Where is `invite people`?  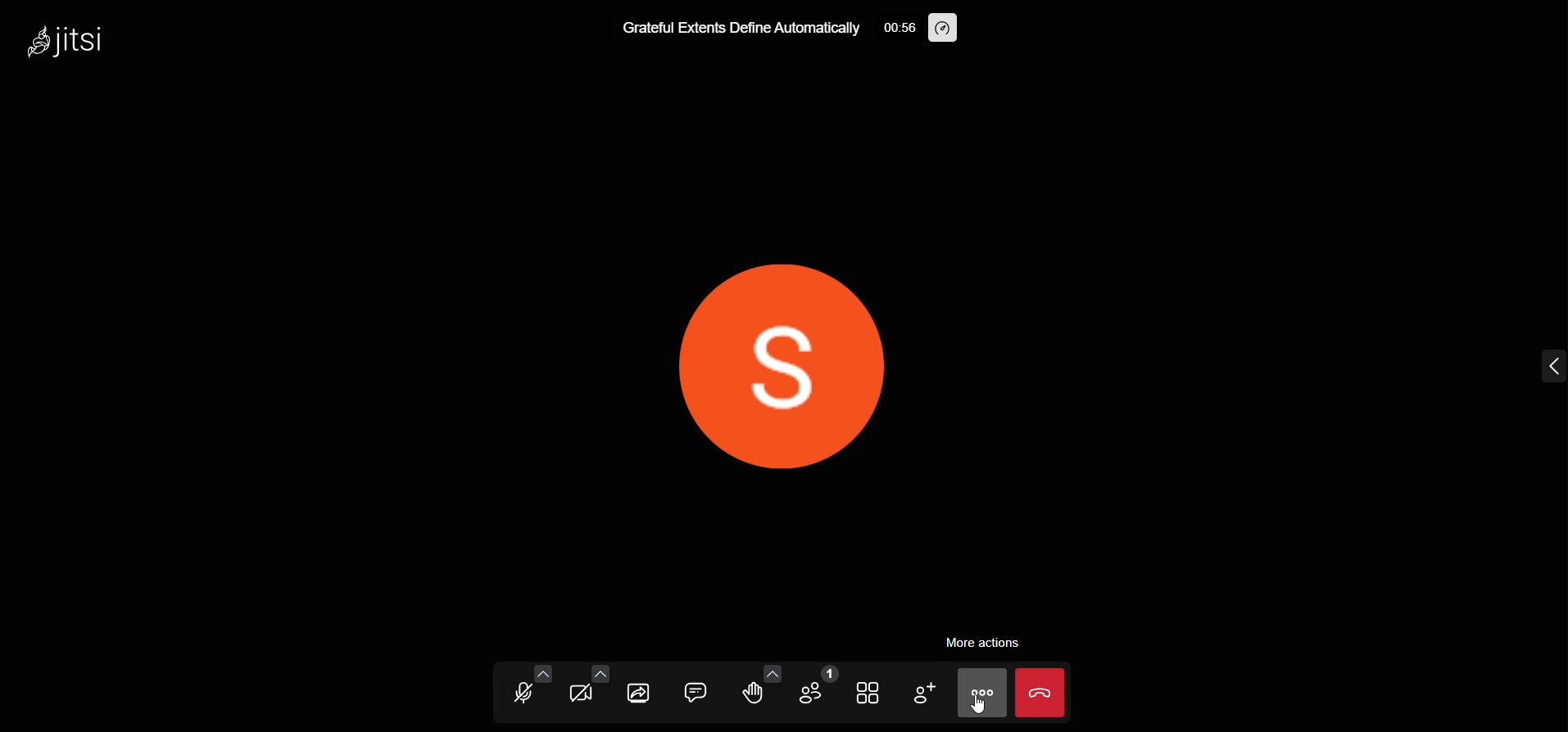 invite people is located at coordinates (925, 694).